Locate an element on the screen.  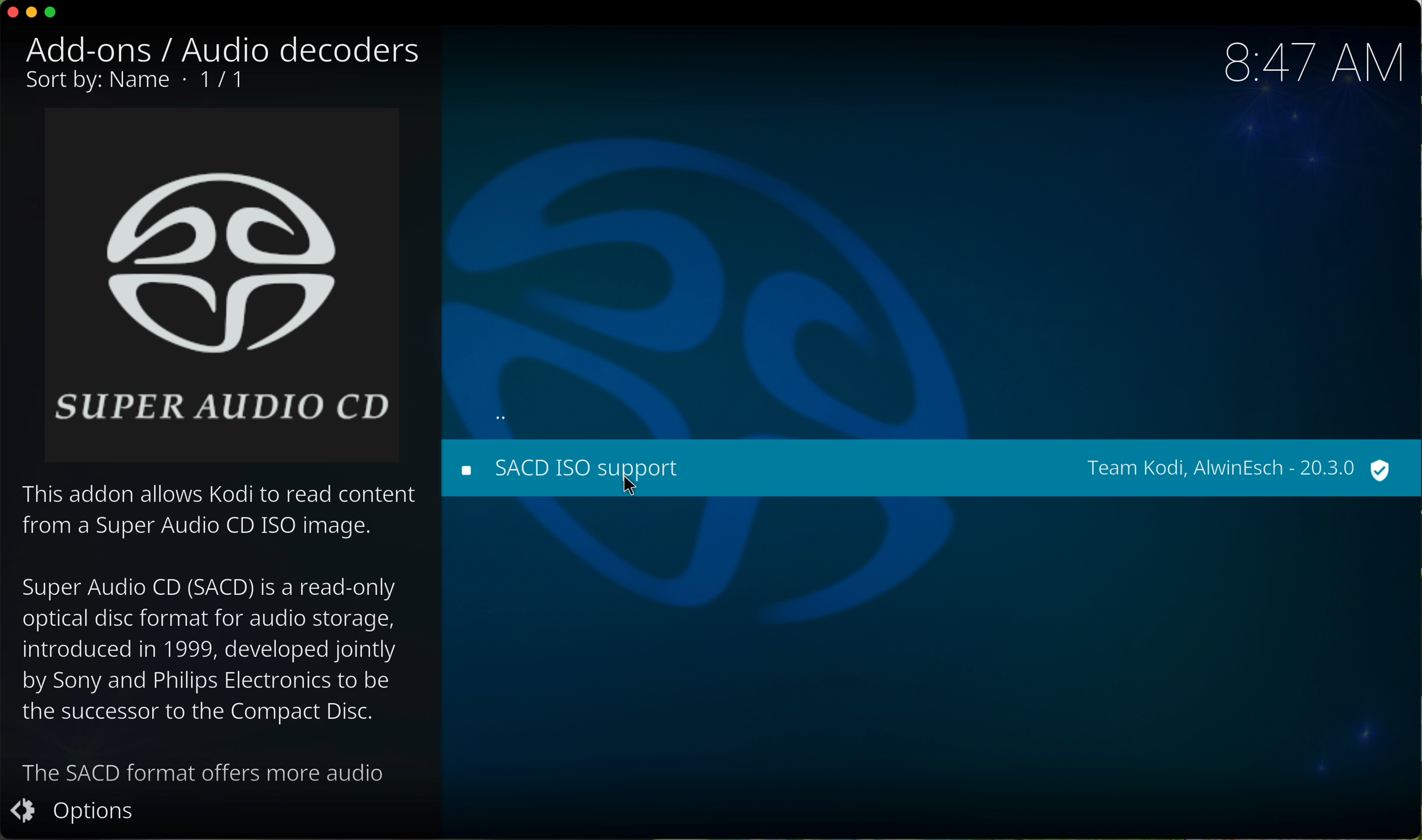
minimize is located at coordinates (33, 12).